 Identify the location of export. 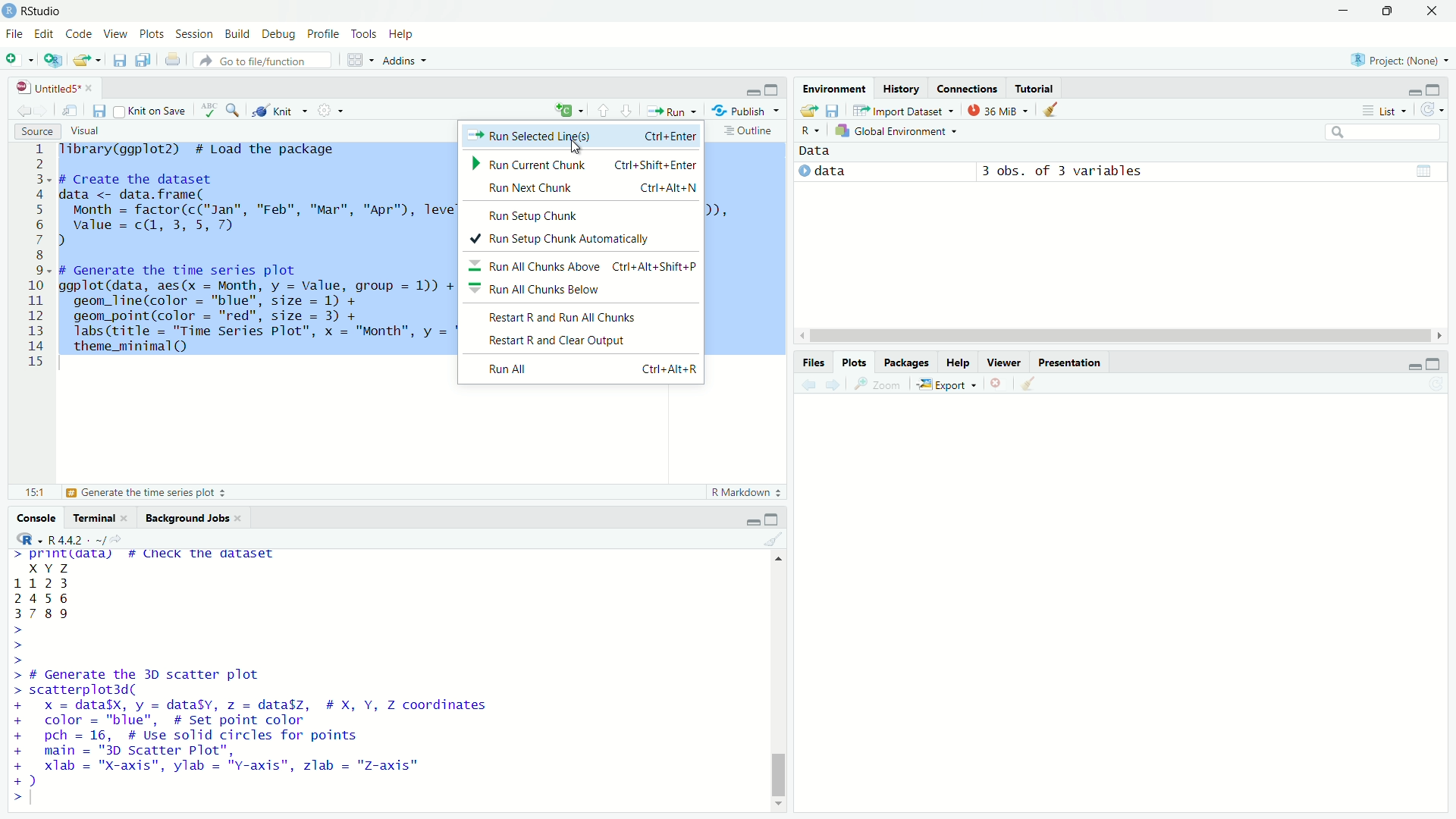
(946, 384).